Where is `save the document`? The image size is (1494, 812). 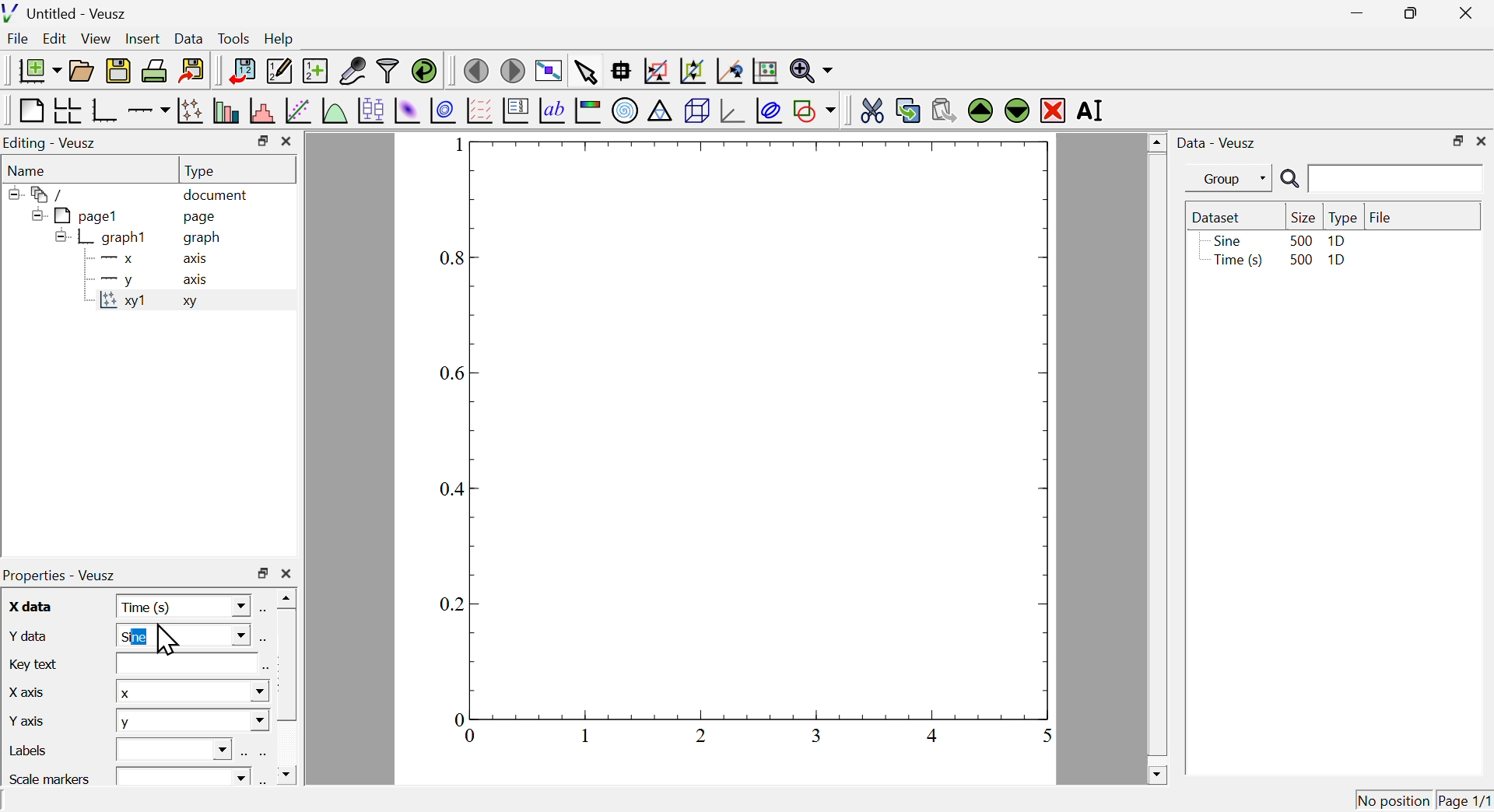 save the document is located at coordinates (118, 72).